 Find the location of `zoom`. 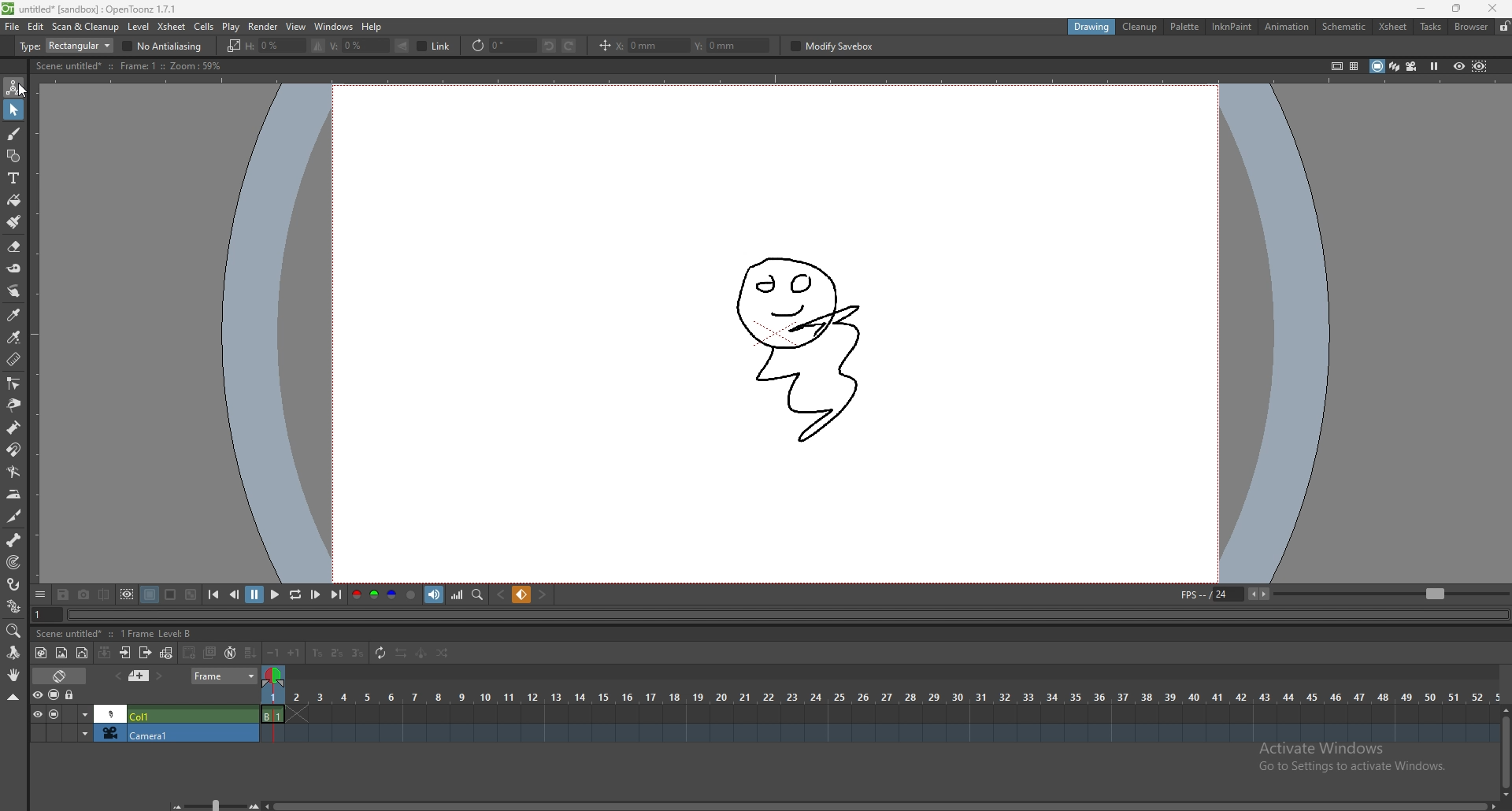

zoom is located at coordinates (14, 631).